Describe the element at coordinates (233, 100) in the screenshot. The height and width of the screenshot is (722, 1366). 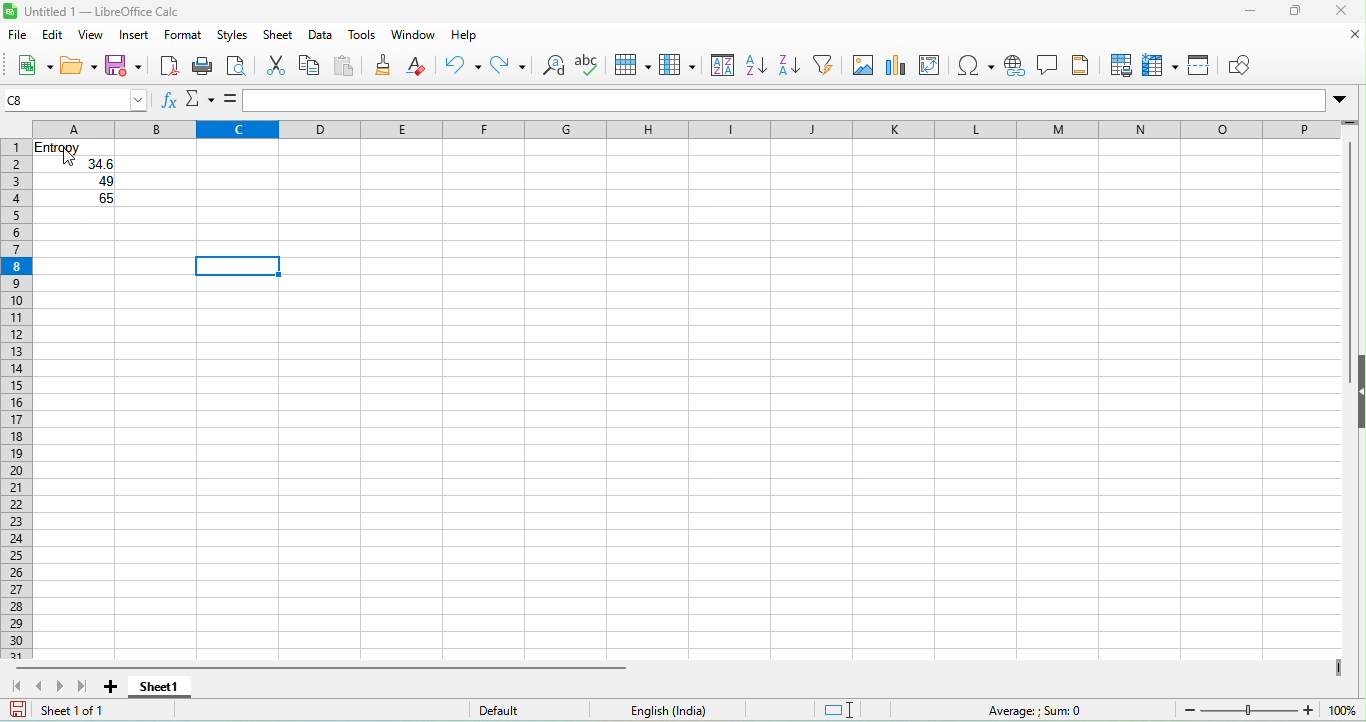
I see `formula` at that location.